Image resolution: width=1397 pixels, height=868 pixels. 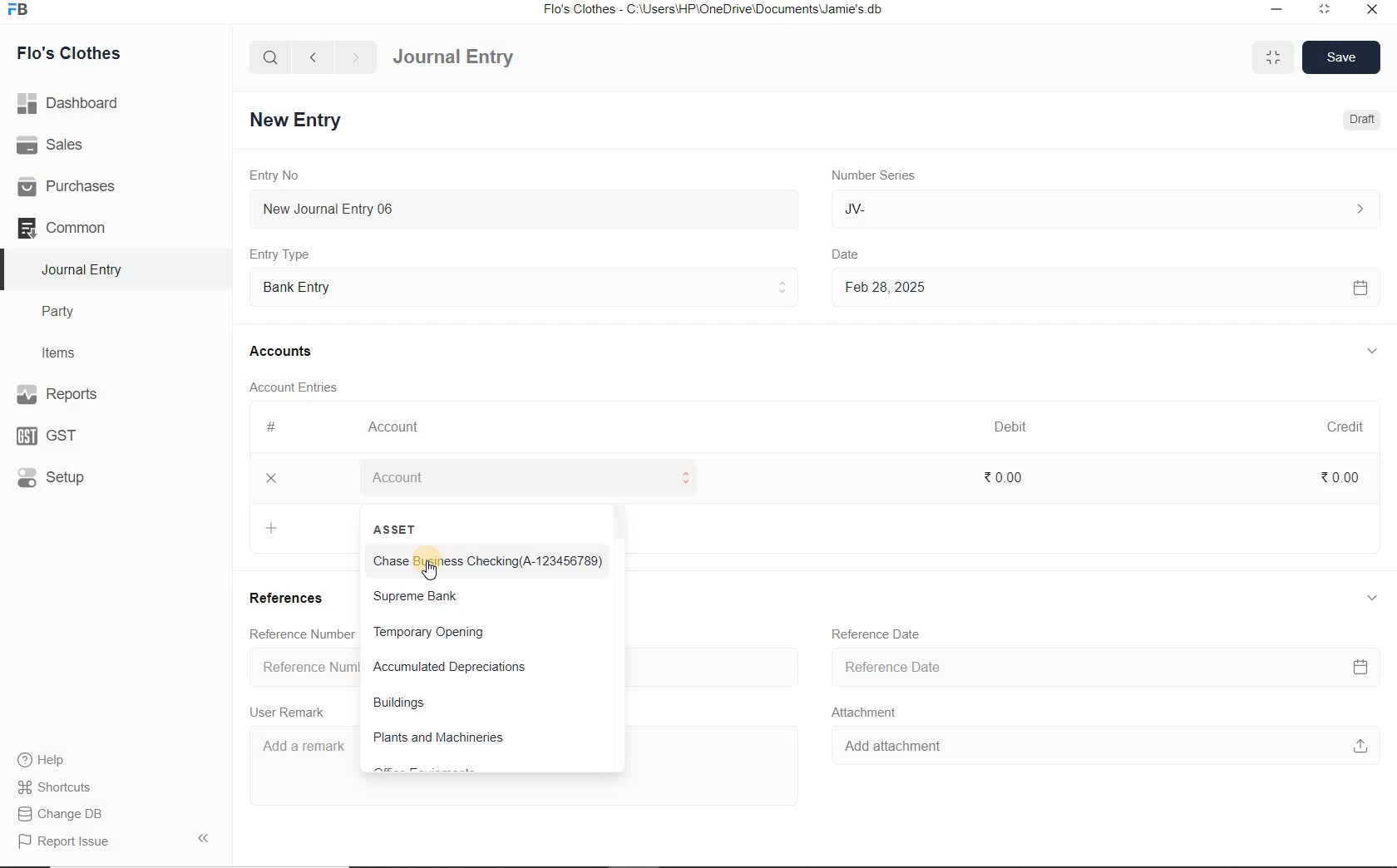 What do you see at coordinates (1012, 427) in the screenshot?
I see `Debit` at bounding box center [1012, 427].